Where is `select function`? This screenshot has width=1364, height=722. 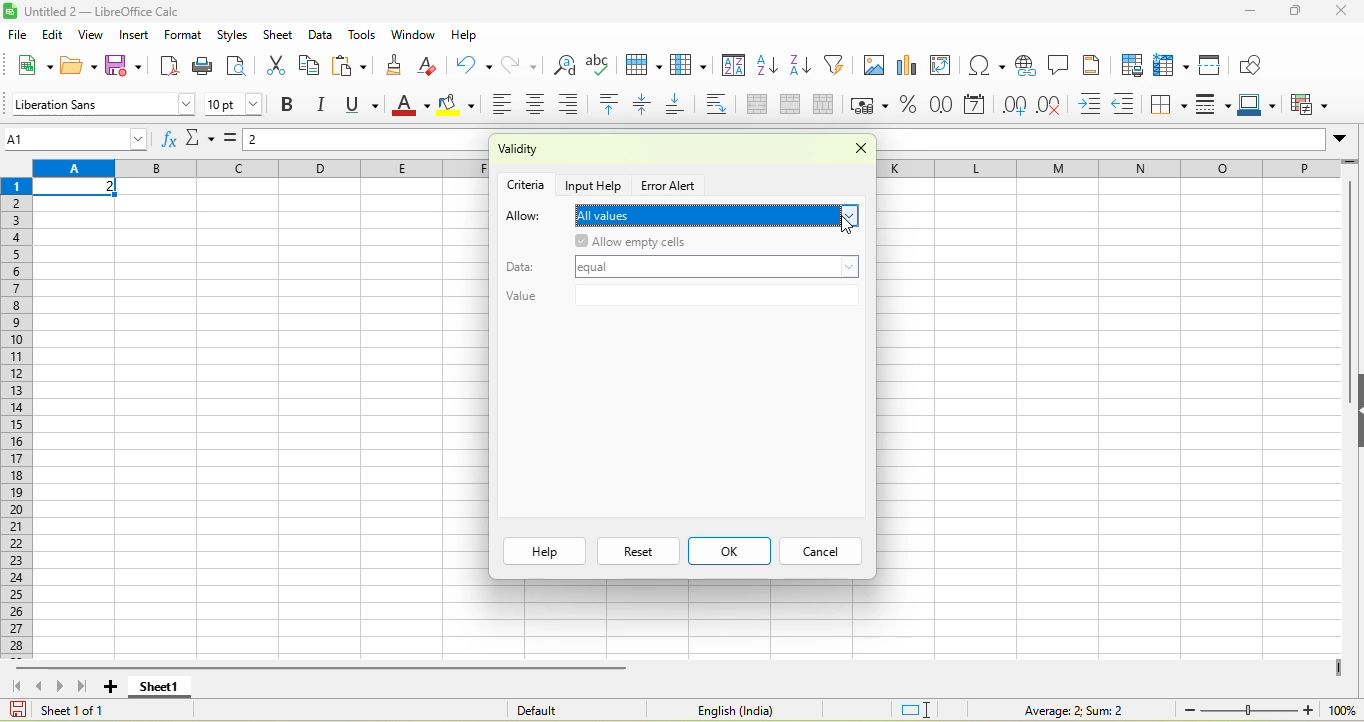
select function is located at coordinates (202, 140).